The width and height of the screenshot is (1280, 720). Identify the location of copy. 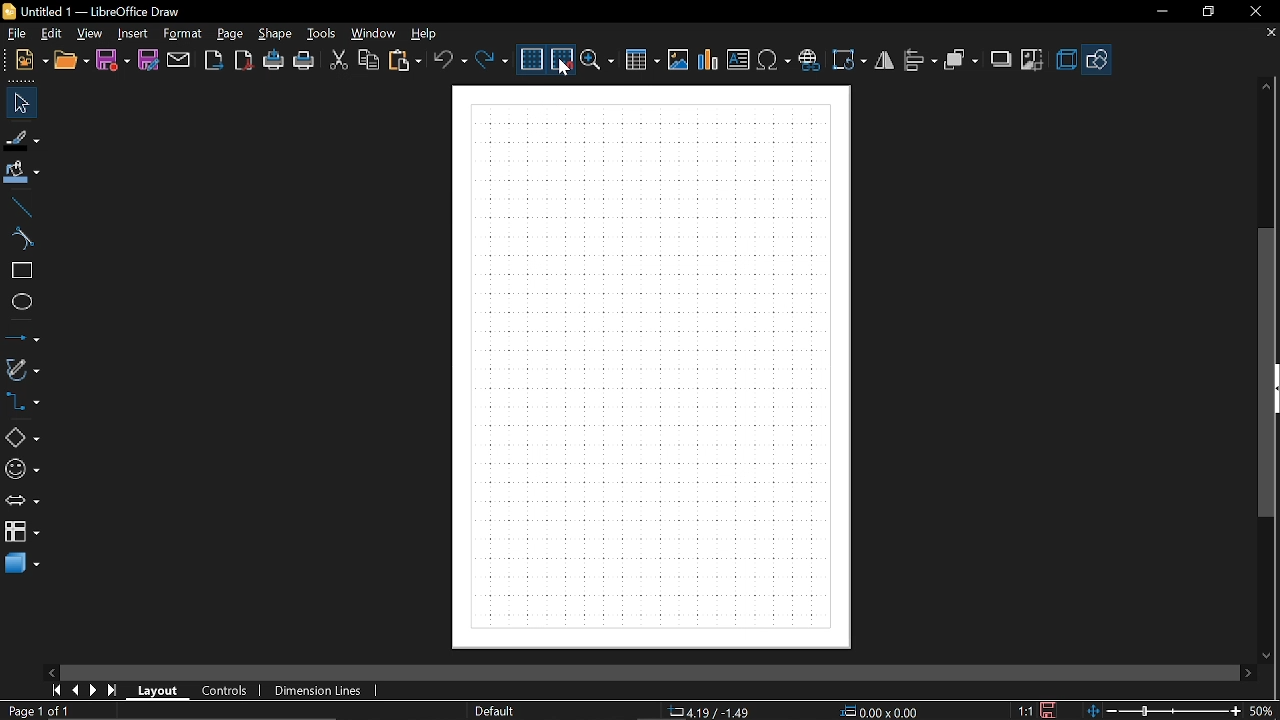
(368, 62).